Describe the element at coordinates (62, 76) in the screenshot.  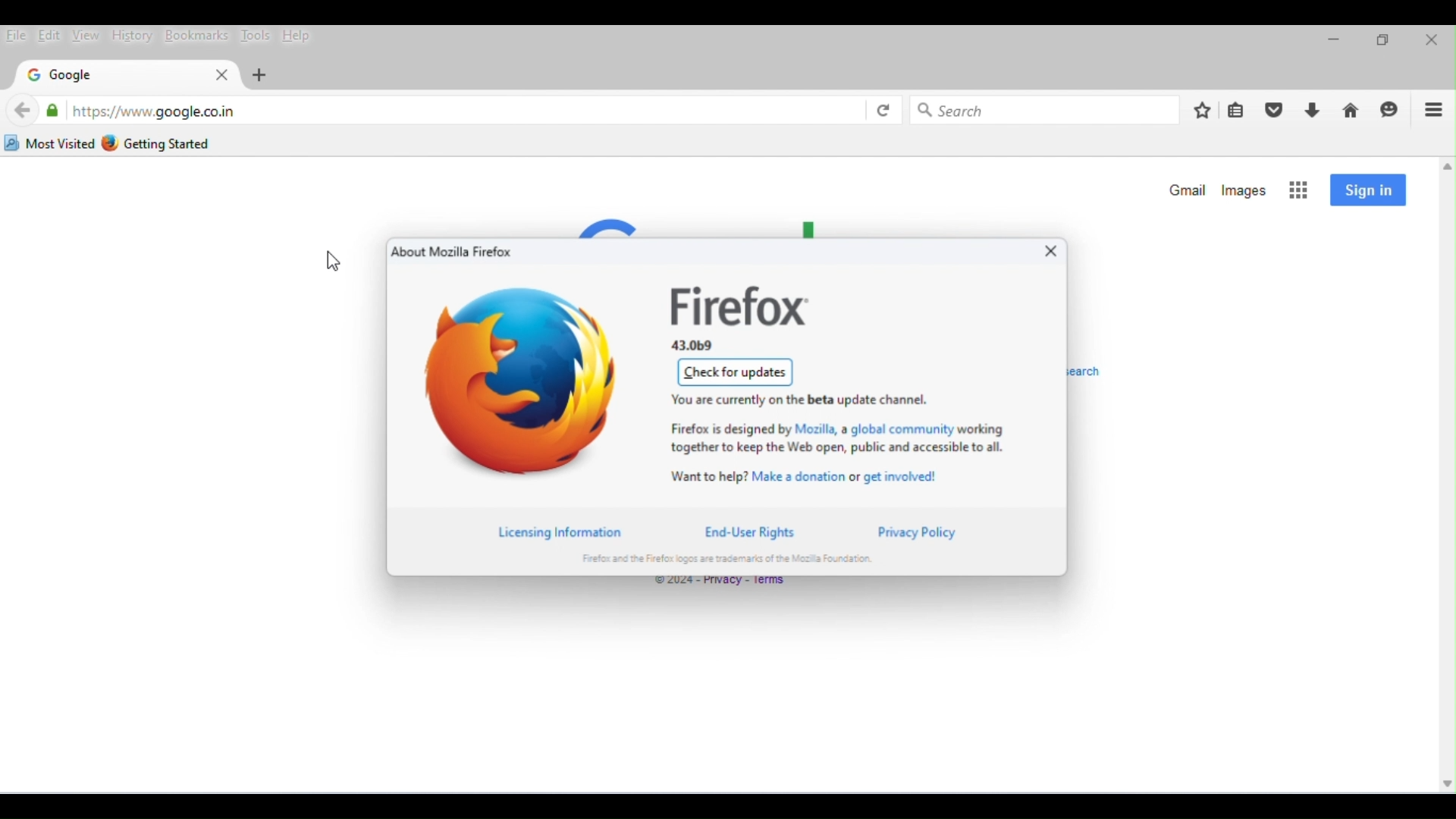
I see `google` at that location.